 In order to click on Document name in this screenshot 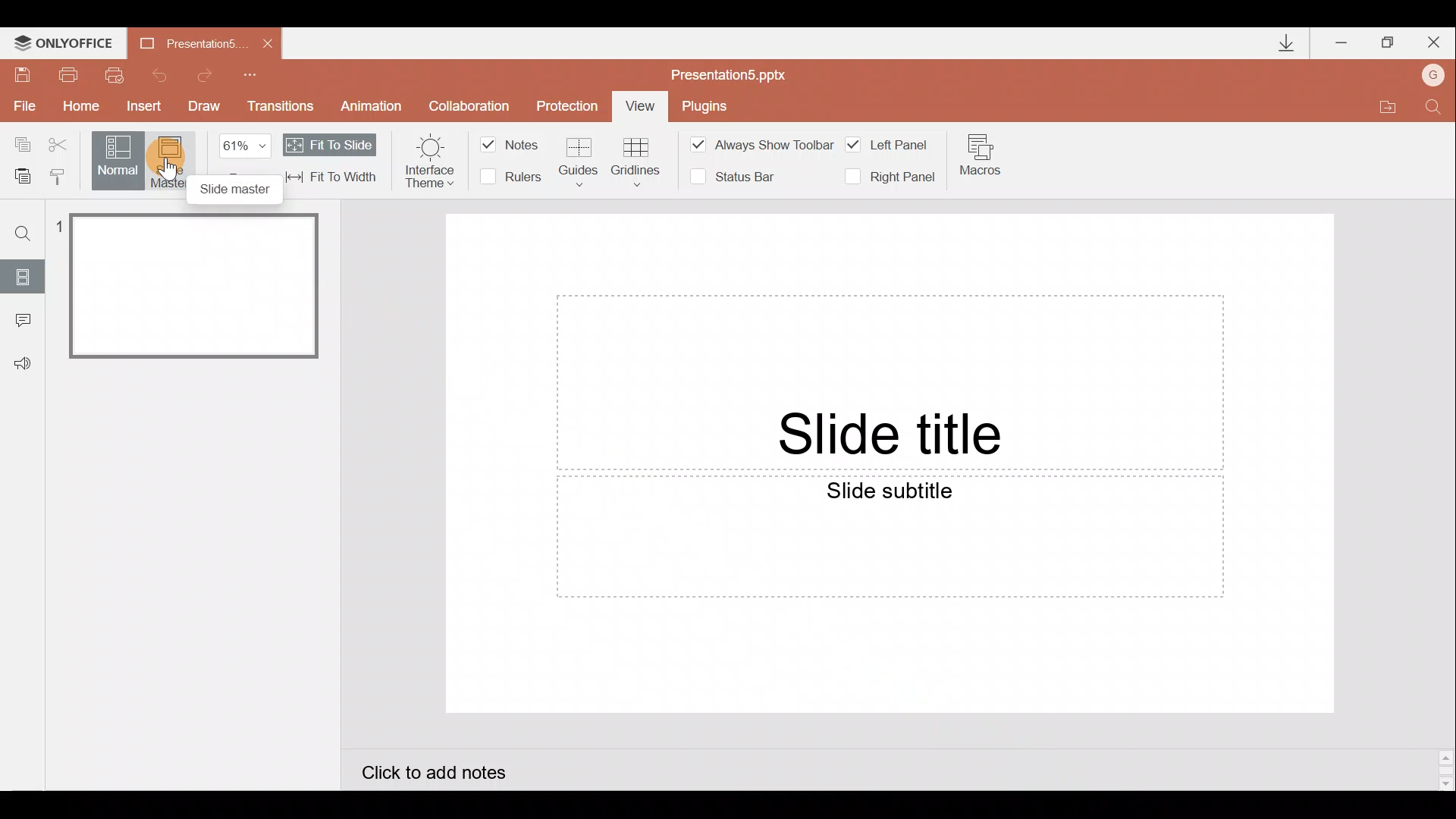, I will do `click(737, 74)`.